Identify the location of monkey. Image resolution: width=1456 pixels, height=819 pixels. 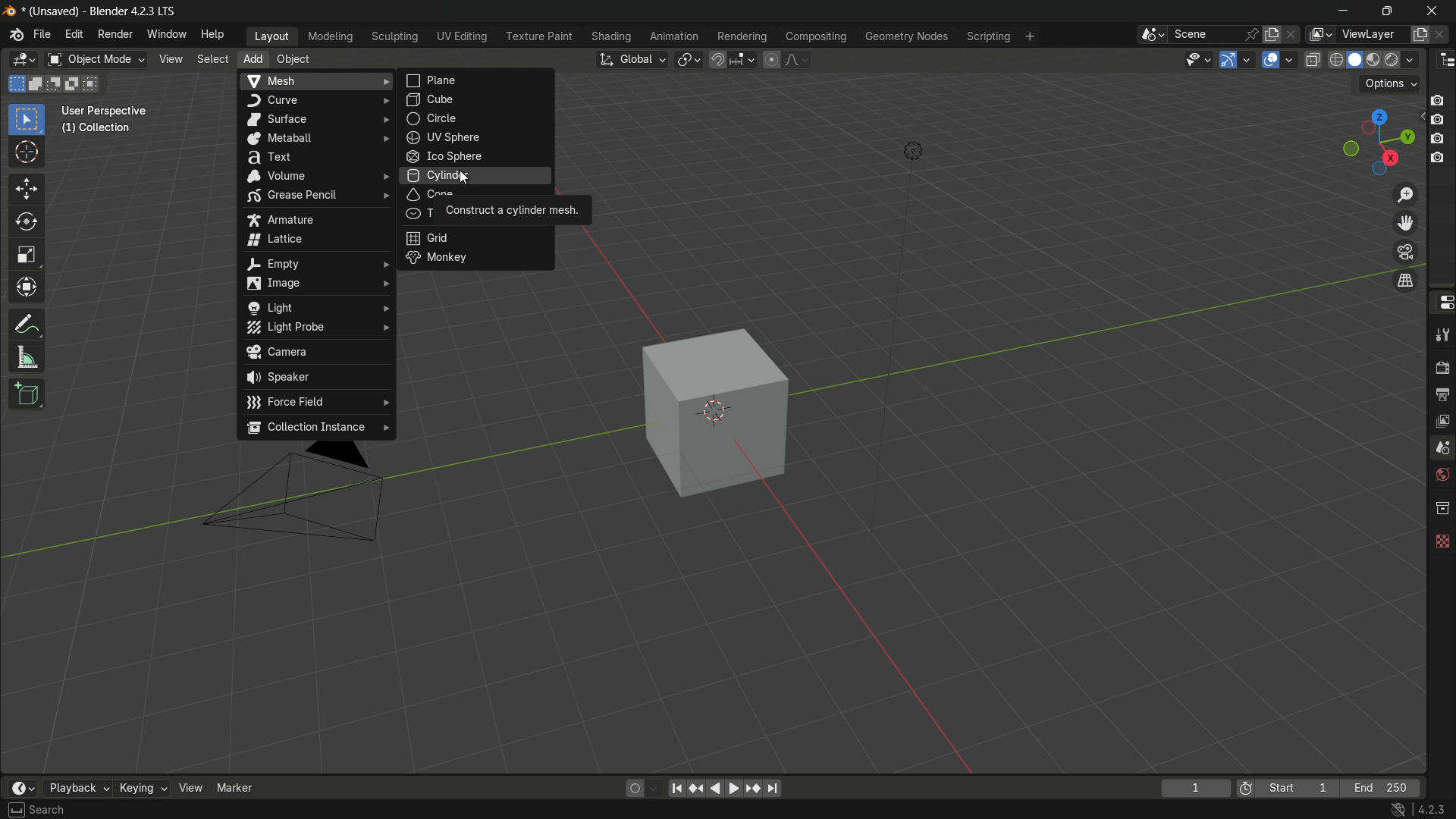
(479, 259).